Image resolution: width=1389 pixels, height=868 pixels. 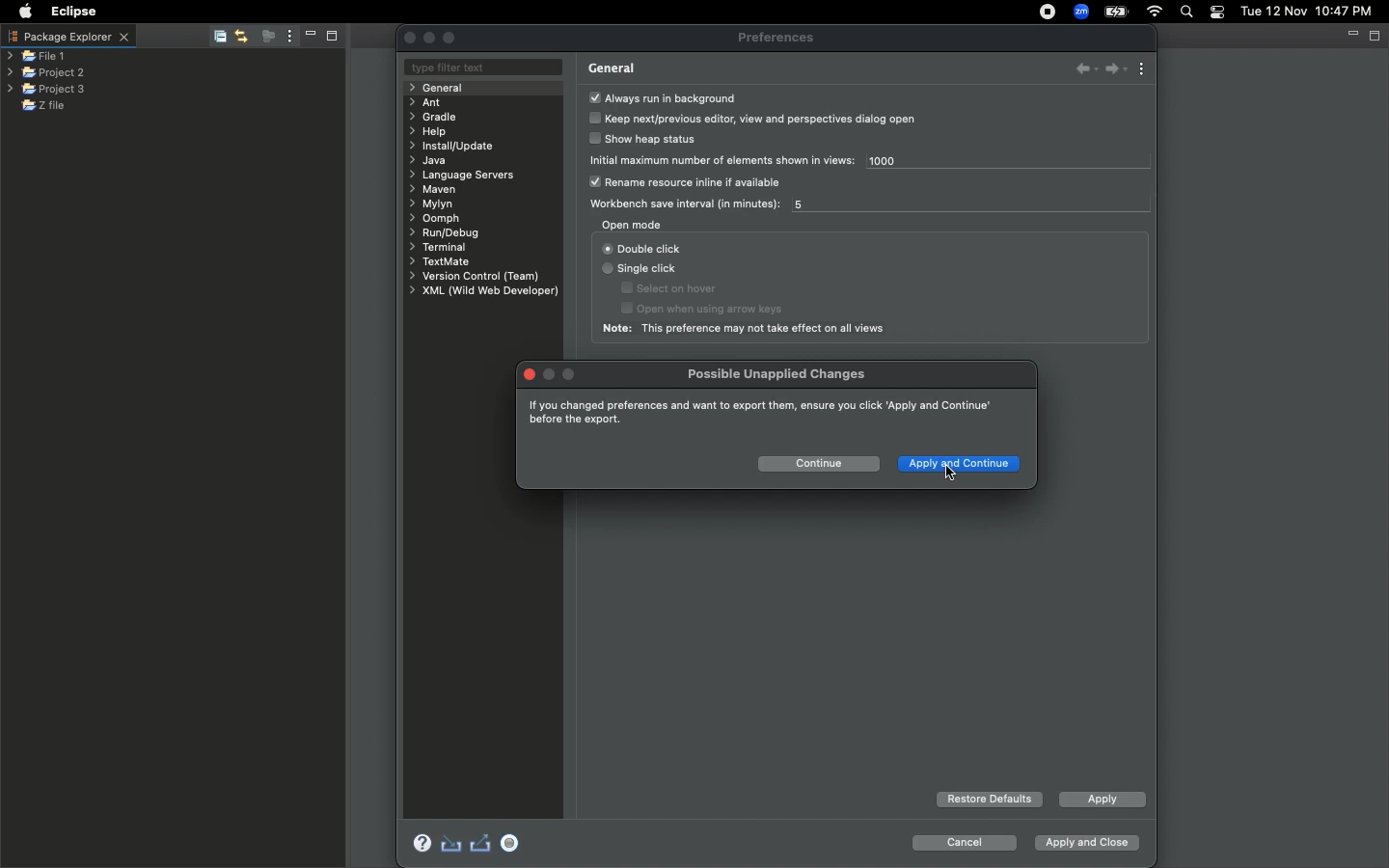 I want to click on minimize, so click(x=430, y=38).